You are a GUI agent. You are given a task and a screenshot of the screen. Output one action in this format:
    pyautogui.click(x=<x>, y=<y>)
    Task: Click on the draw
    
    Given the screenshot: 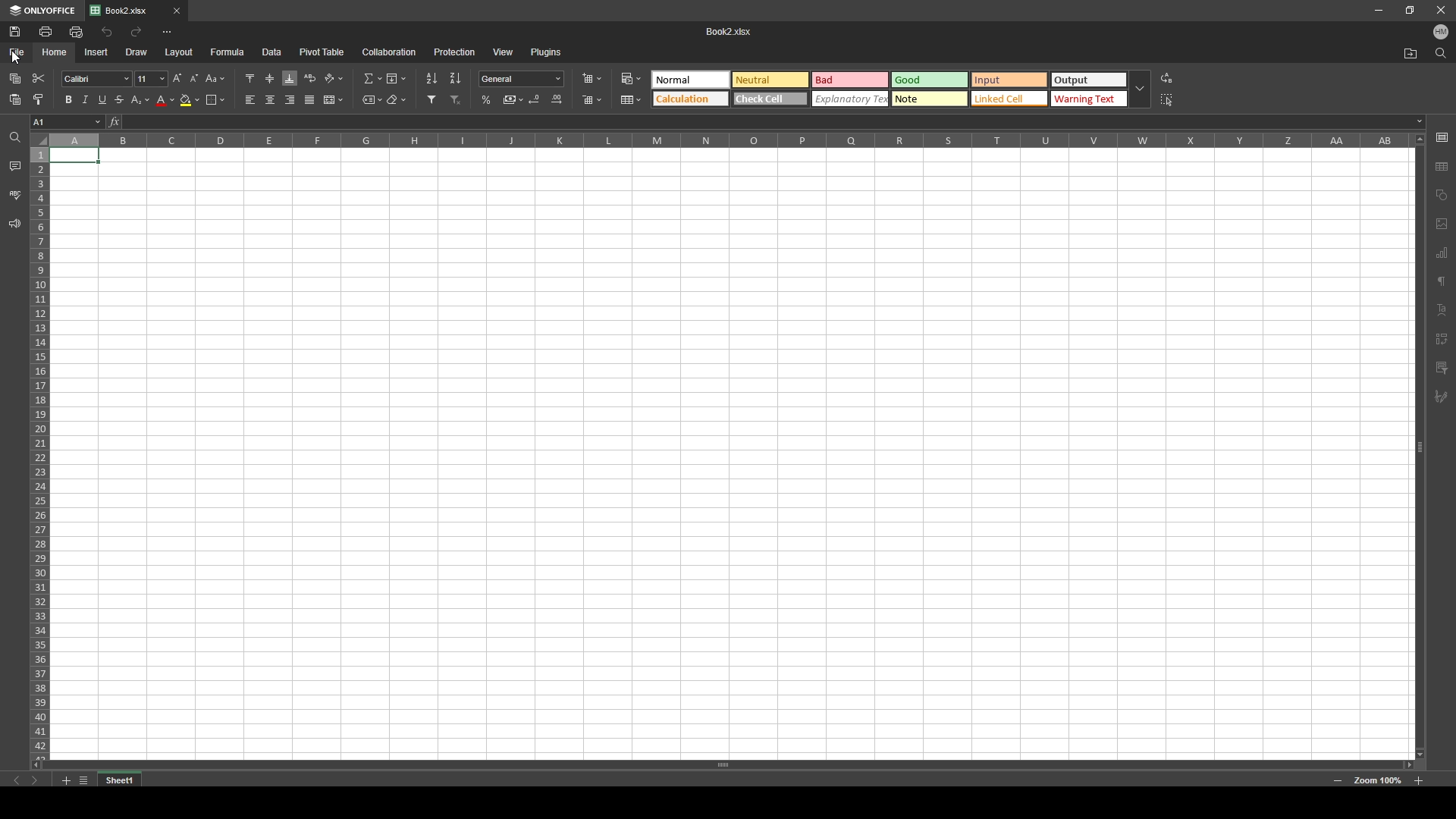 What is the action you would take?
    pyautogui.click(x=138, y=52)
    